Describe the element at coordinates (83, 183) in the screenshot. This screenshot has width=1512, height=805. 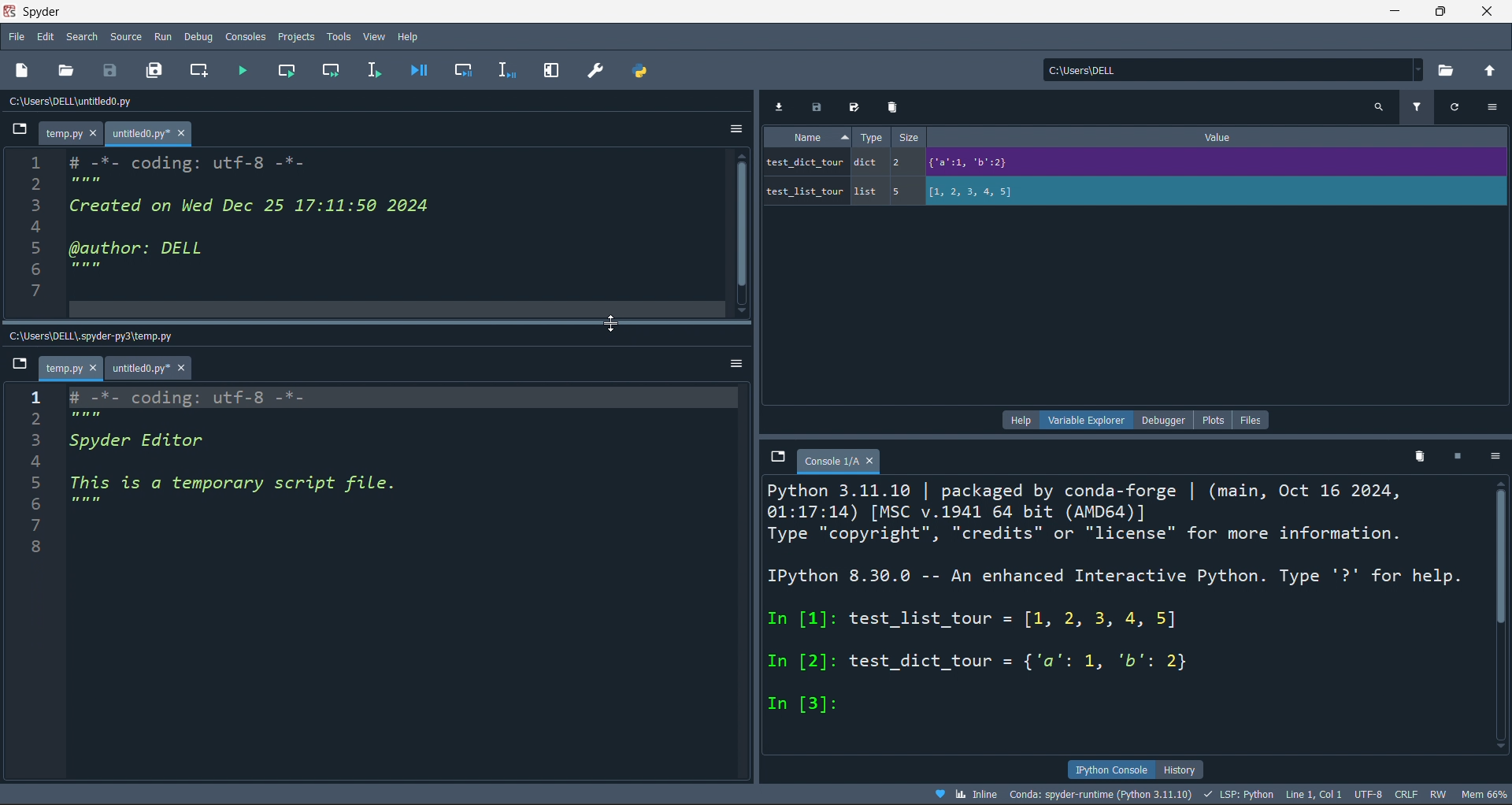
I see `2 """` at that location.